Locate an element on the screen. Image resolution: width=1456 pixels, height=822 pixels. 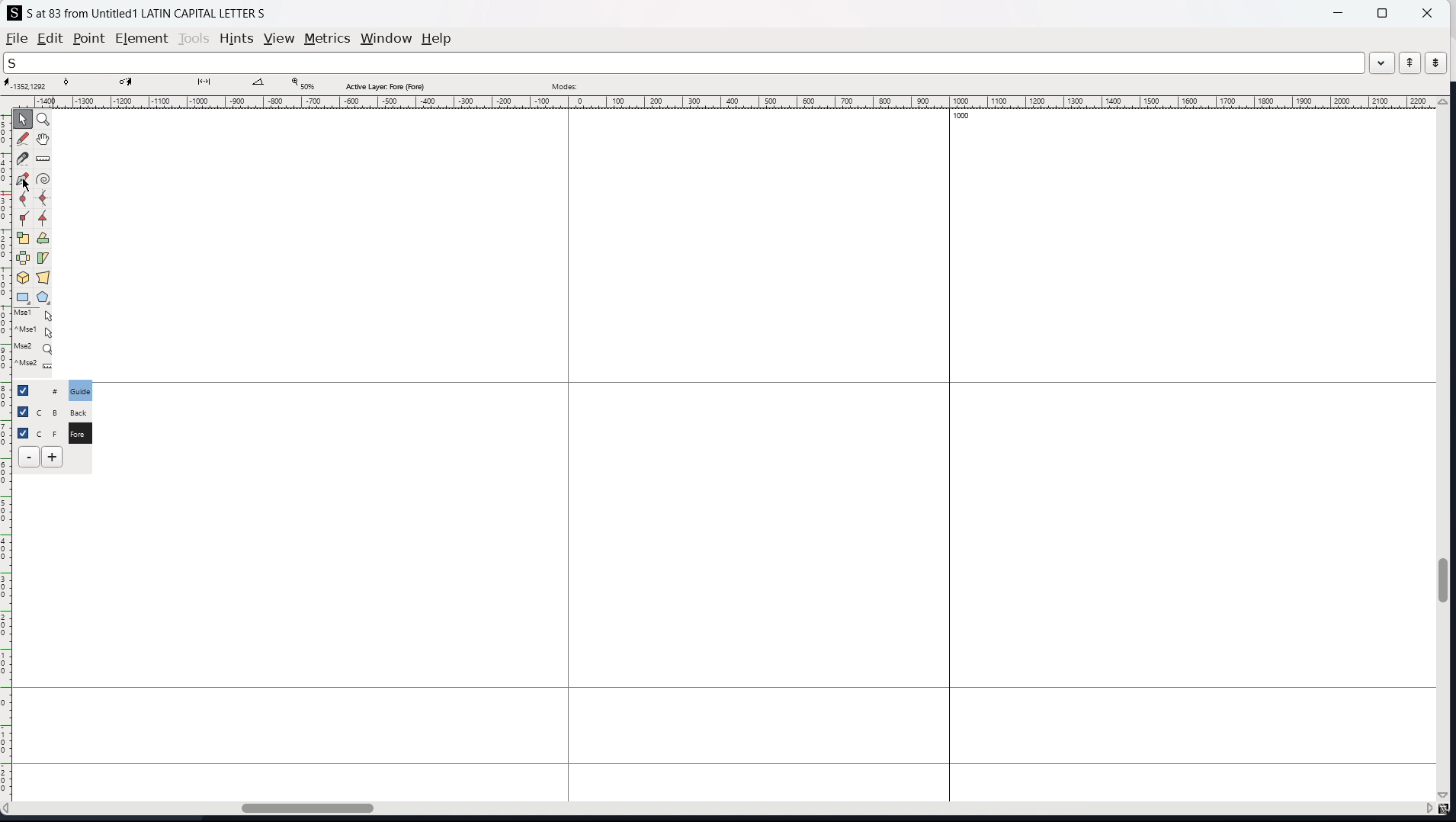
logo is located at coordinates (14, 13).